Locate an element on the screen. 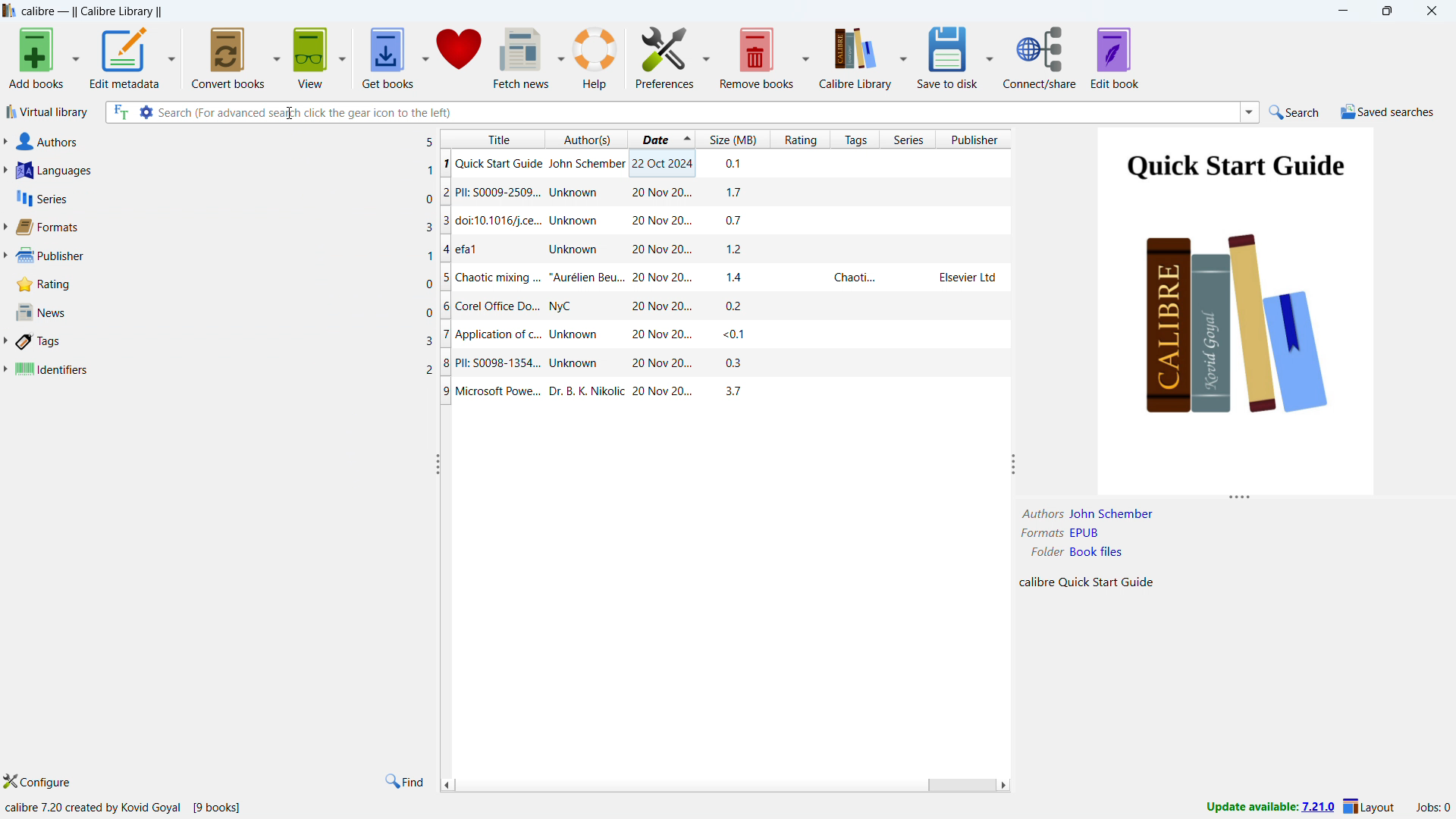  do a quicj search is located at coordinates (1295, 111).